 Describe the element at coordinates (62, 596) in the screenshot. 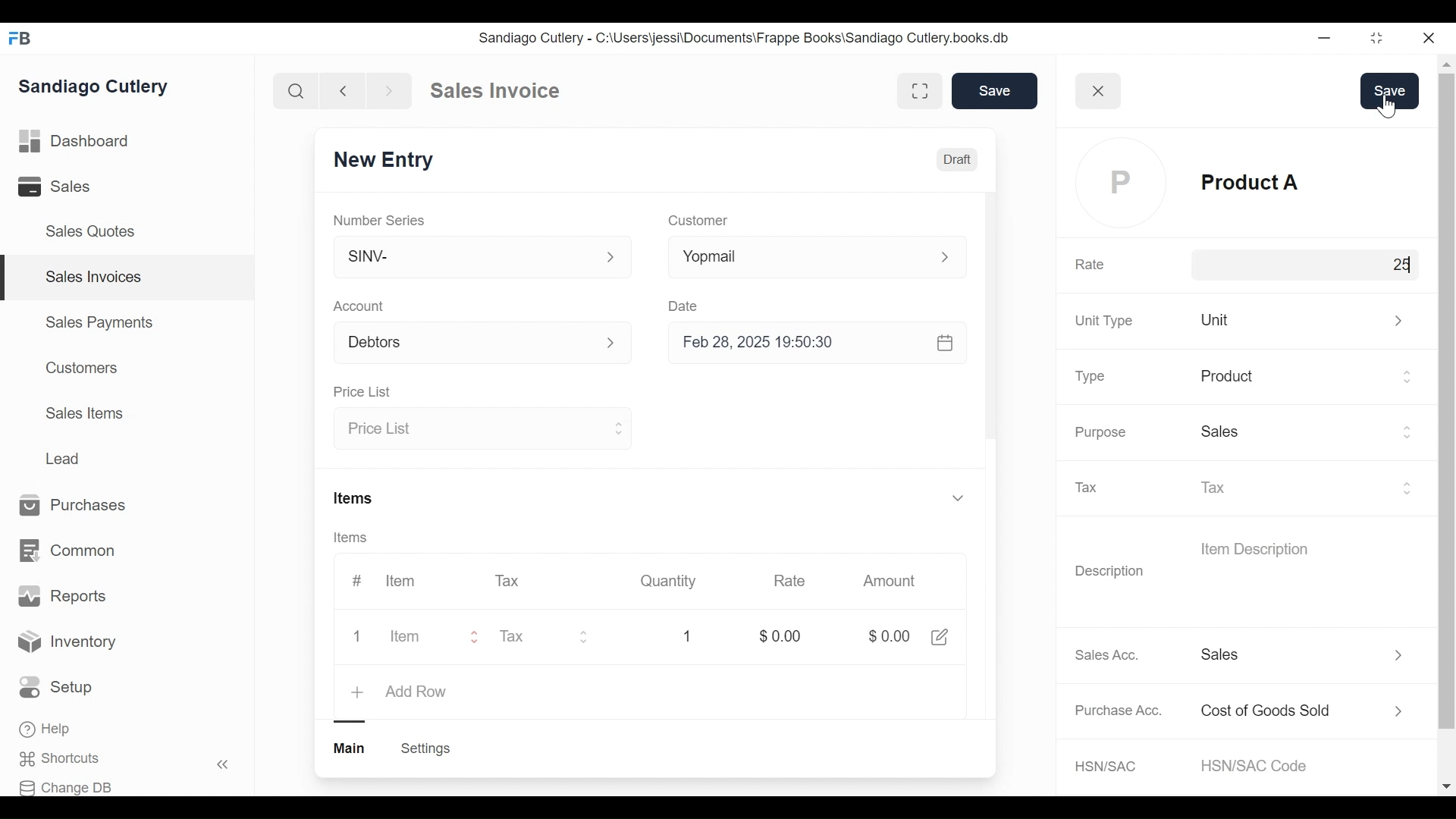

I see `Reports` at that location.